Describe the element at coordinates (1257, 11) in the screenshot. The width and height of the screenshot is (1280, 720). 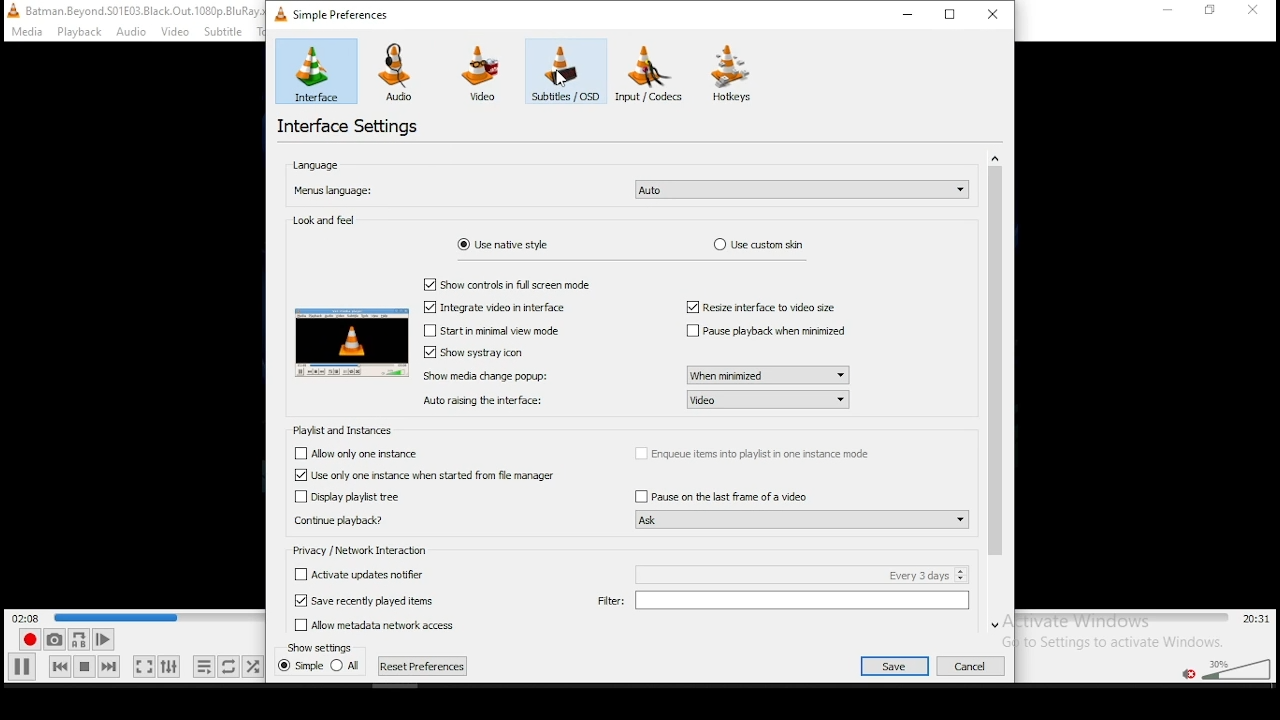
I see `` at that location.